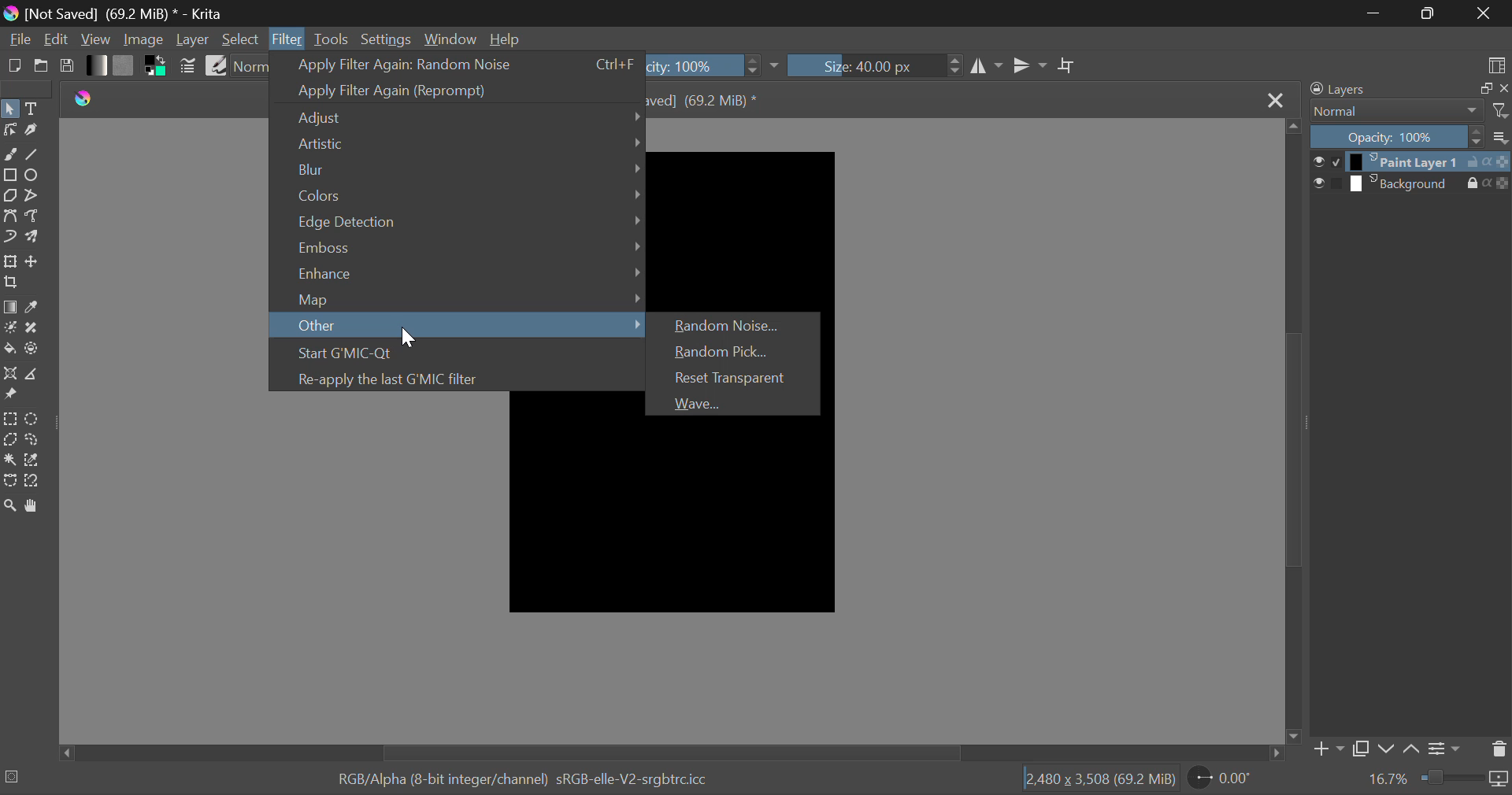 This screenshot has width=1512, height=795. I want to click on Tools, so click(332, 38).